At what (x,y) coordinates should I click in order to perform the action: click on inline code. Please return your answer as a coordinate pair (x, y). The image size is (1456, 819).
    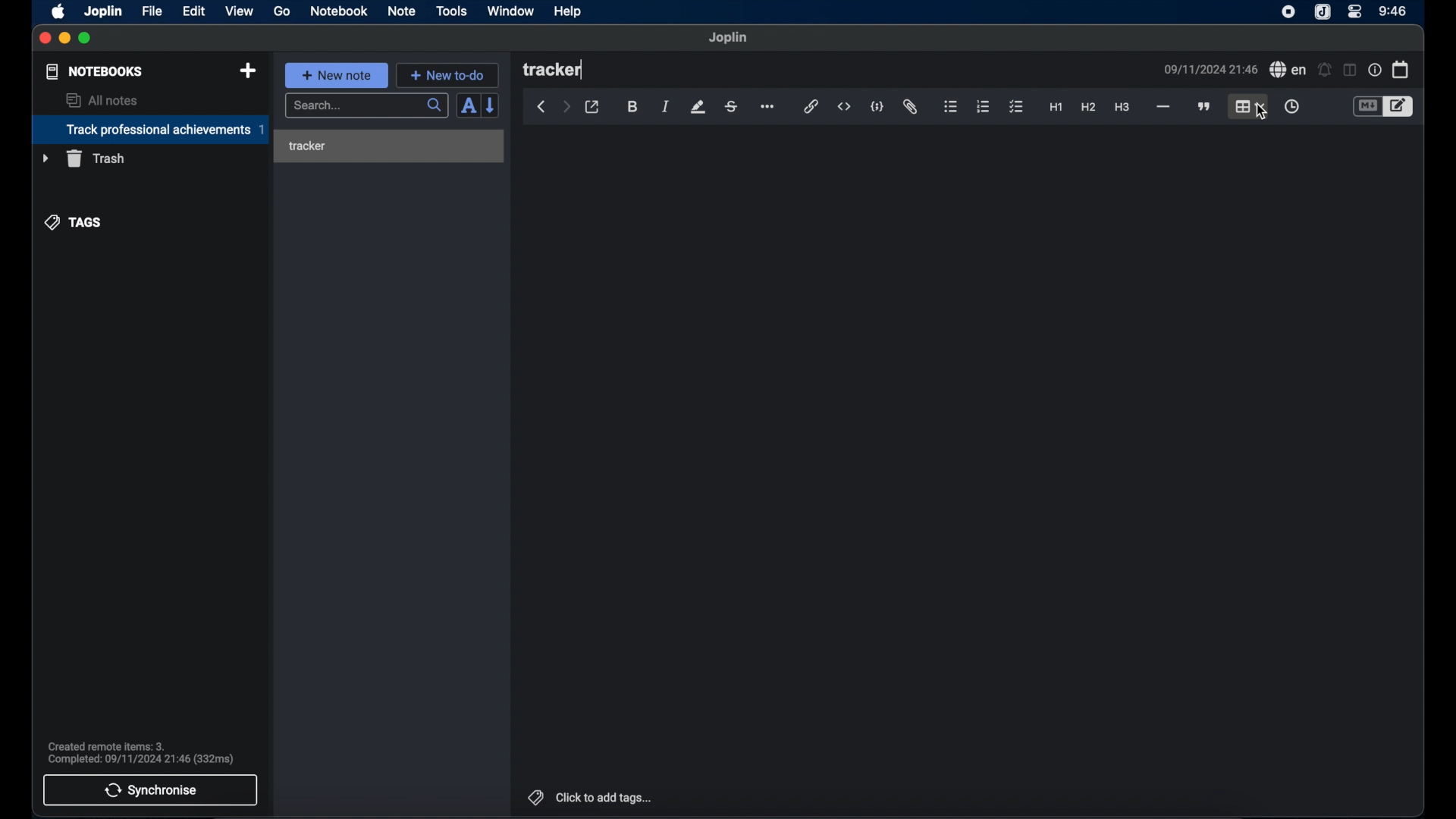
    Looking at the image, I should click on (844, 107).